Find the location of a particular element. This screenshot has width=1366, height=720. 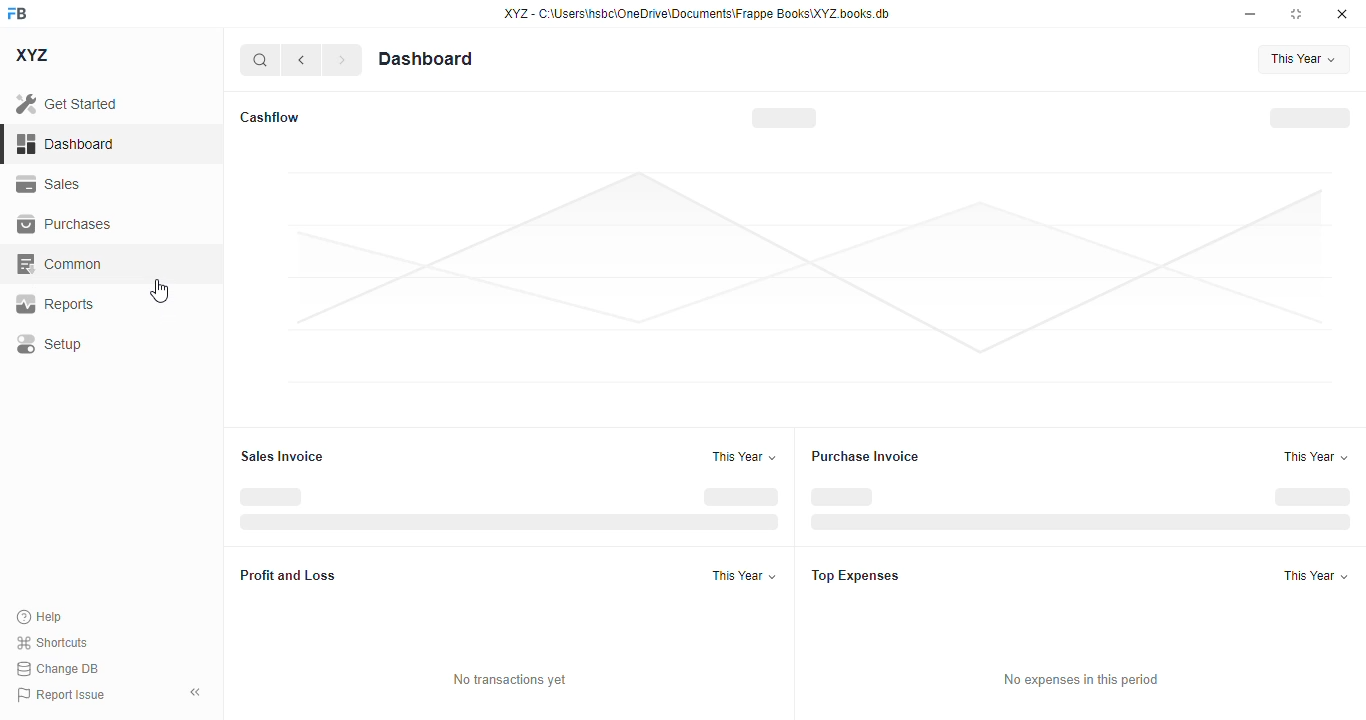

previous is located at coordinates (301, 60).